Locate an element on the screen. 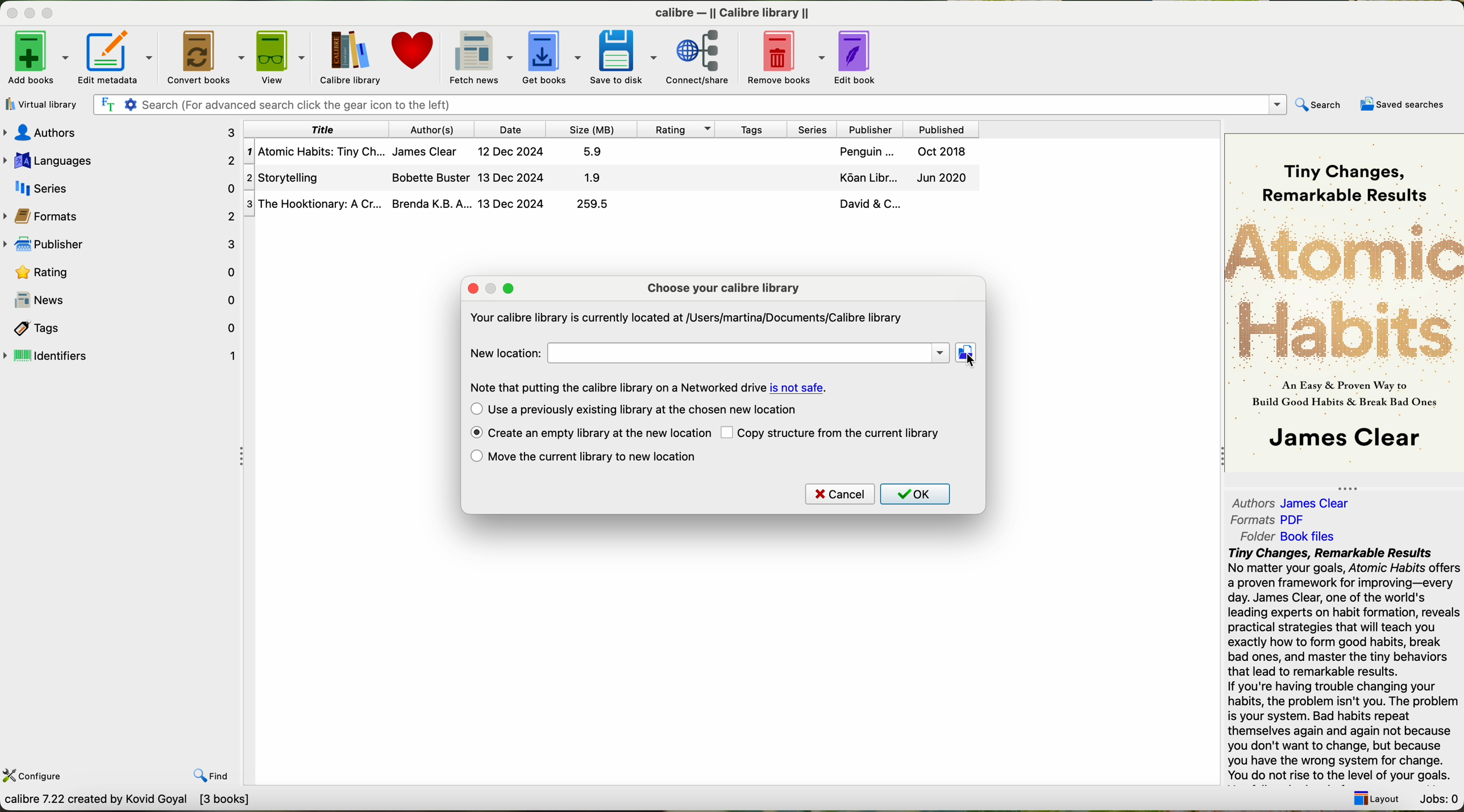  search is located at coordinates (1317, 106).